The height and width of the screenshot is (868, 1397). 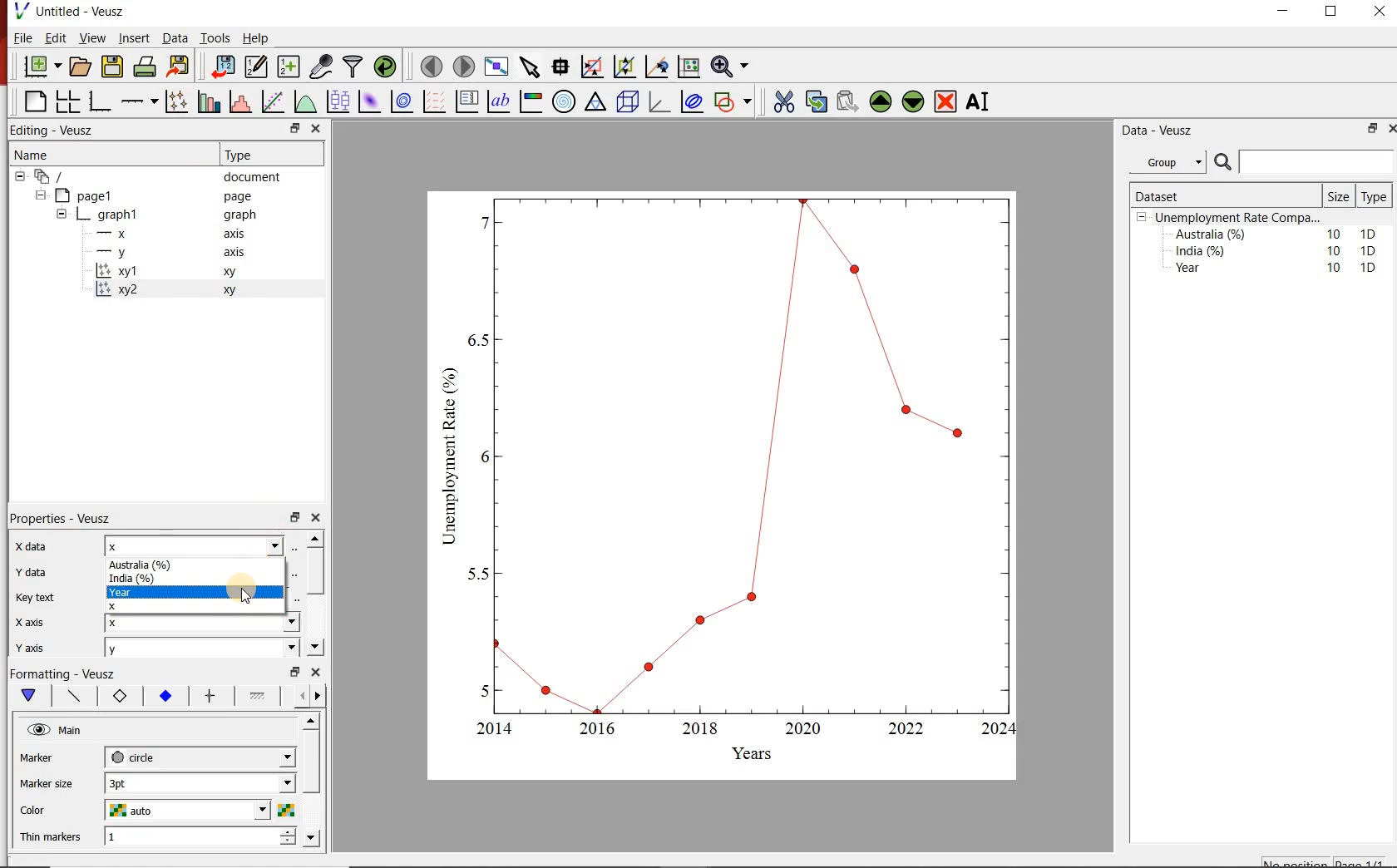 I want to click on add a shapes, so click(x=733, y=101).